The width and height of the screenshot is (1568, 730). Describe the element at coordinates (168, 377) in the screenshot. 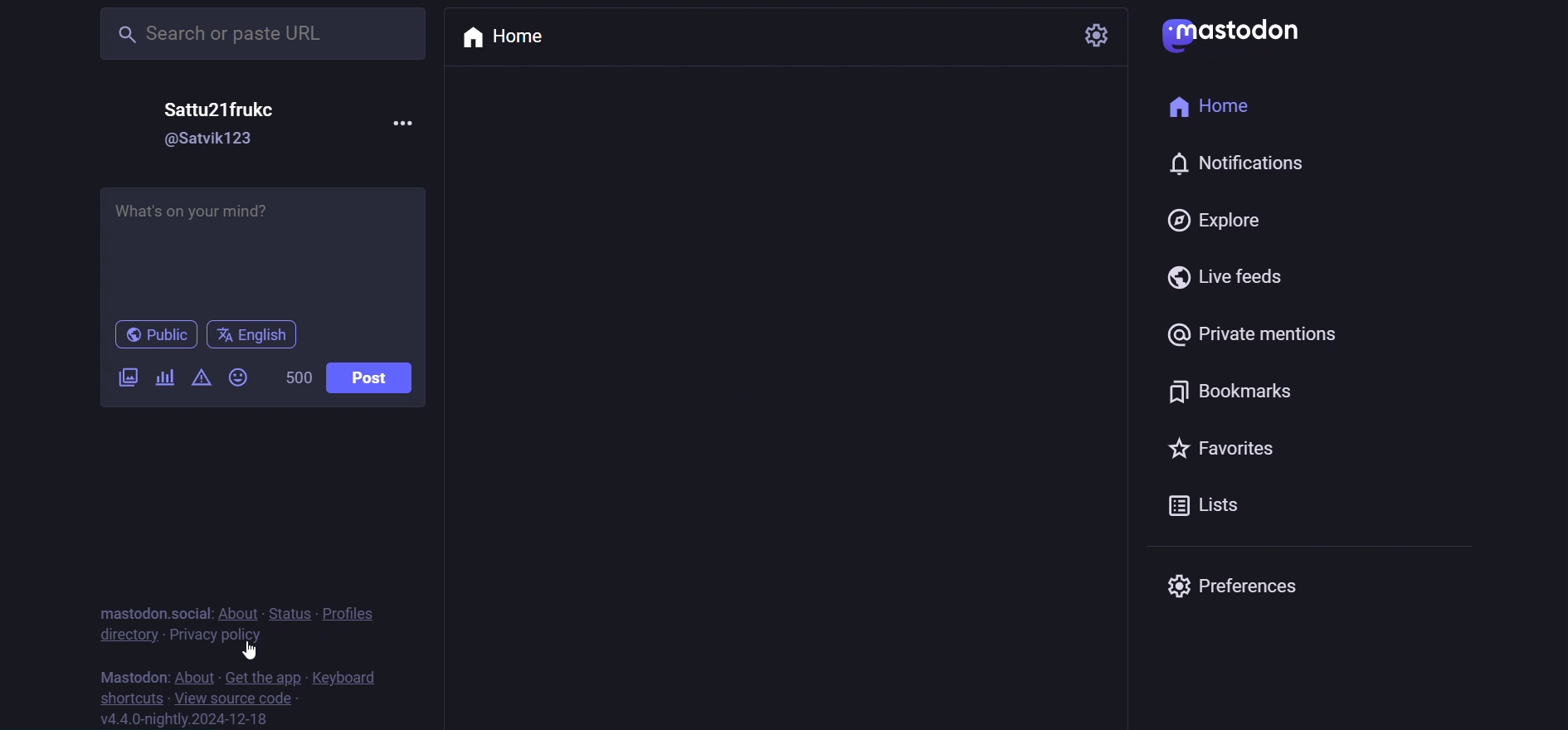

I see `poll` at that location.